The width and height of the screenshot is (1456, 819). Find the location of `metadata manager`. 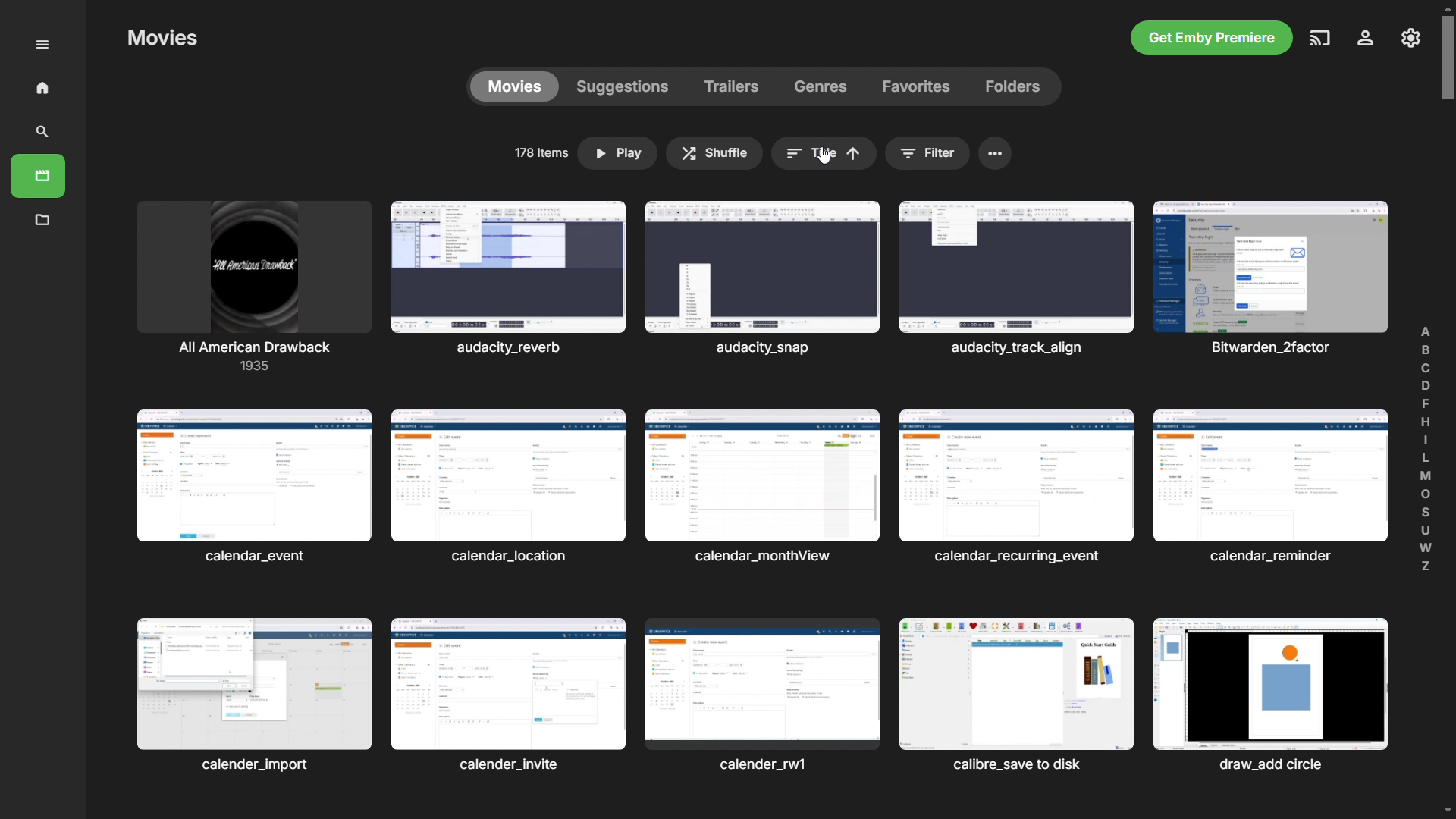

metadata manager is located at coordinates (44, 219).